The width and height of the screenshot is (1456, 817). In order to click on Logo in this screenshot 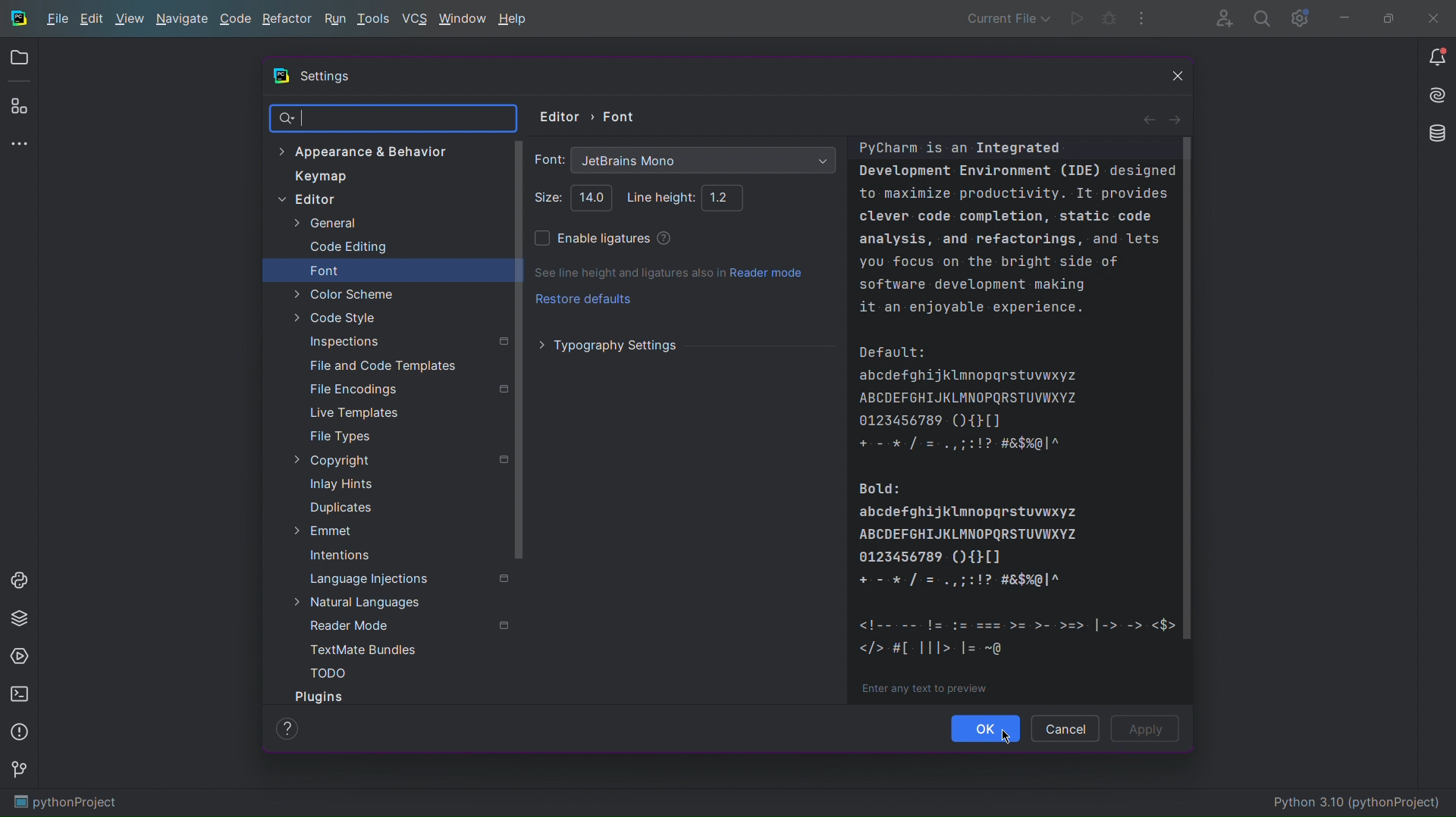, I will do `click(278, 76)`.